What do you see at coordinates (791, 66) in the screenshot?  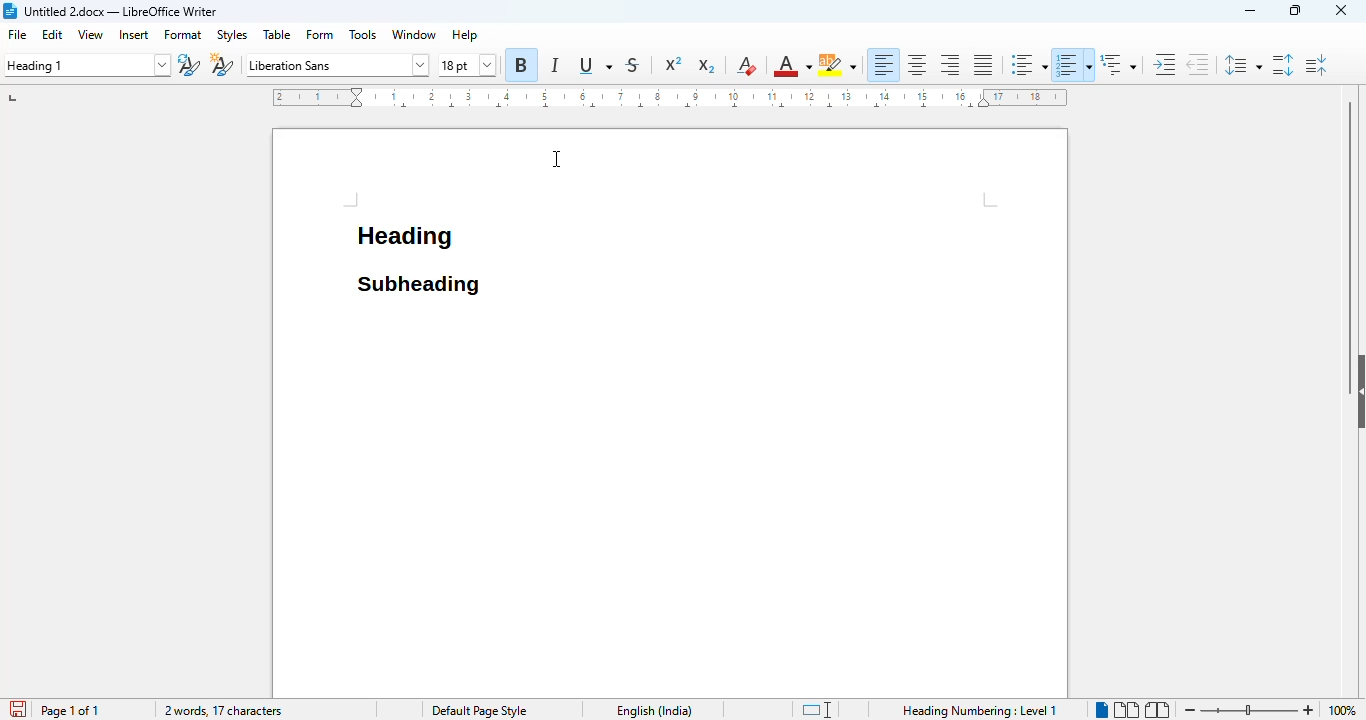 I see `font color` at bounding box center [791, 66].